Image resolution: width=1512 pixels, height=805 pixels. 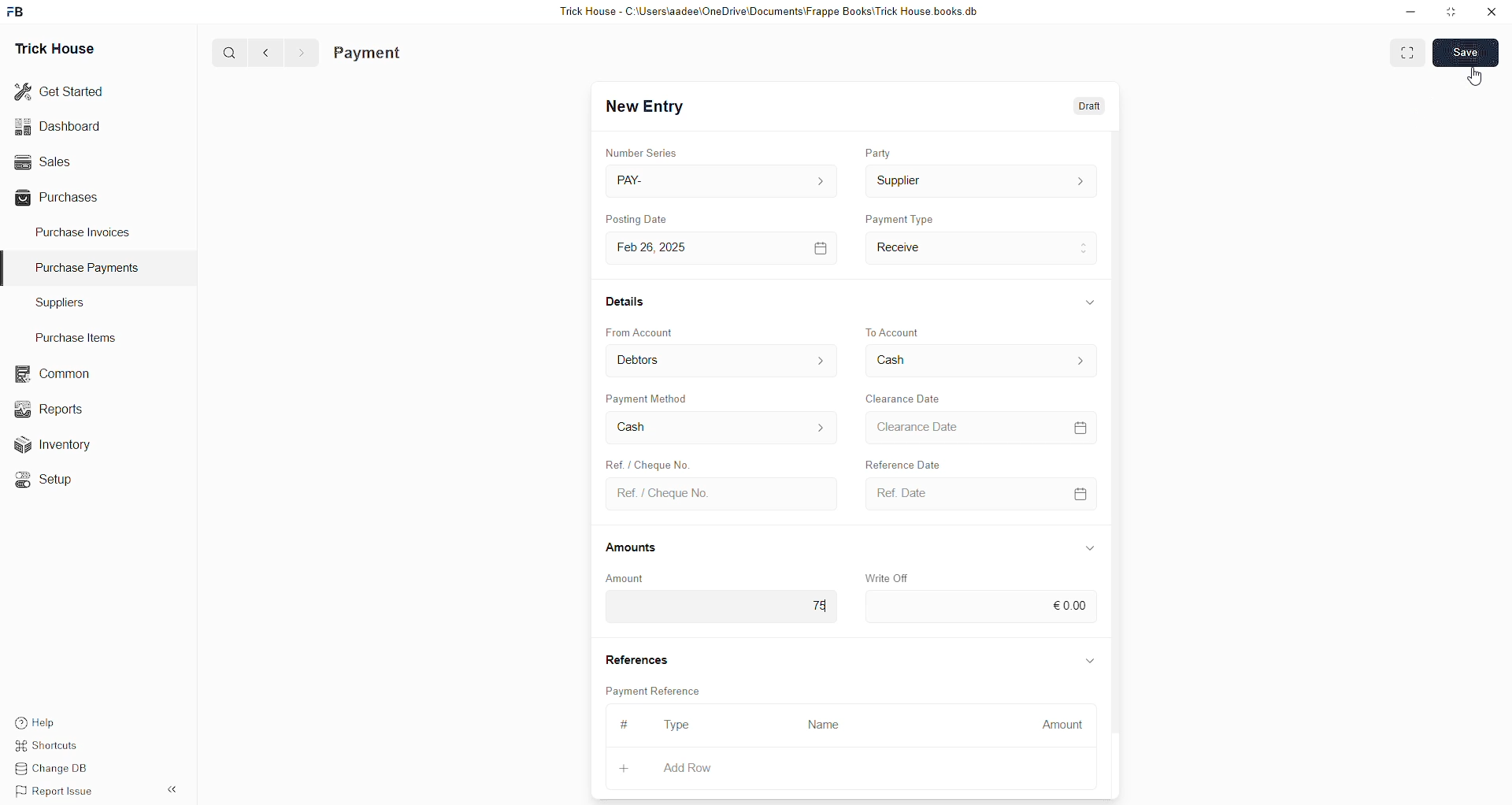 I want to click on Reports, so click(x=50, y=408).